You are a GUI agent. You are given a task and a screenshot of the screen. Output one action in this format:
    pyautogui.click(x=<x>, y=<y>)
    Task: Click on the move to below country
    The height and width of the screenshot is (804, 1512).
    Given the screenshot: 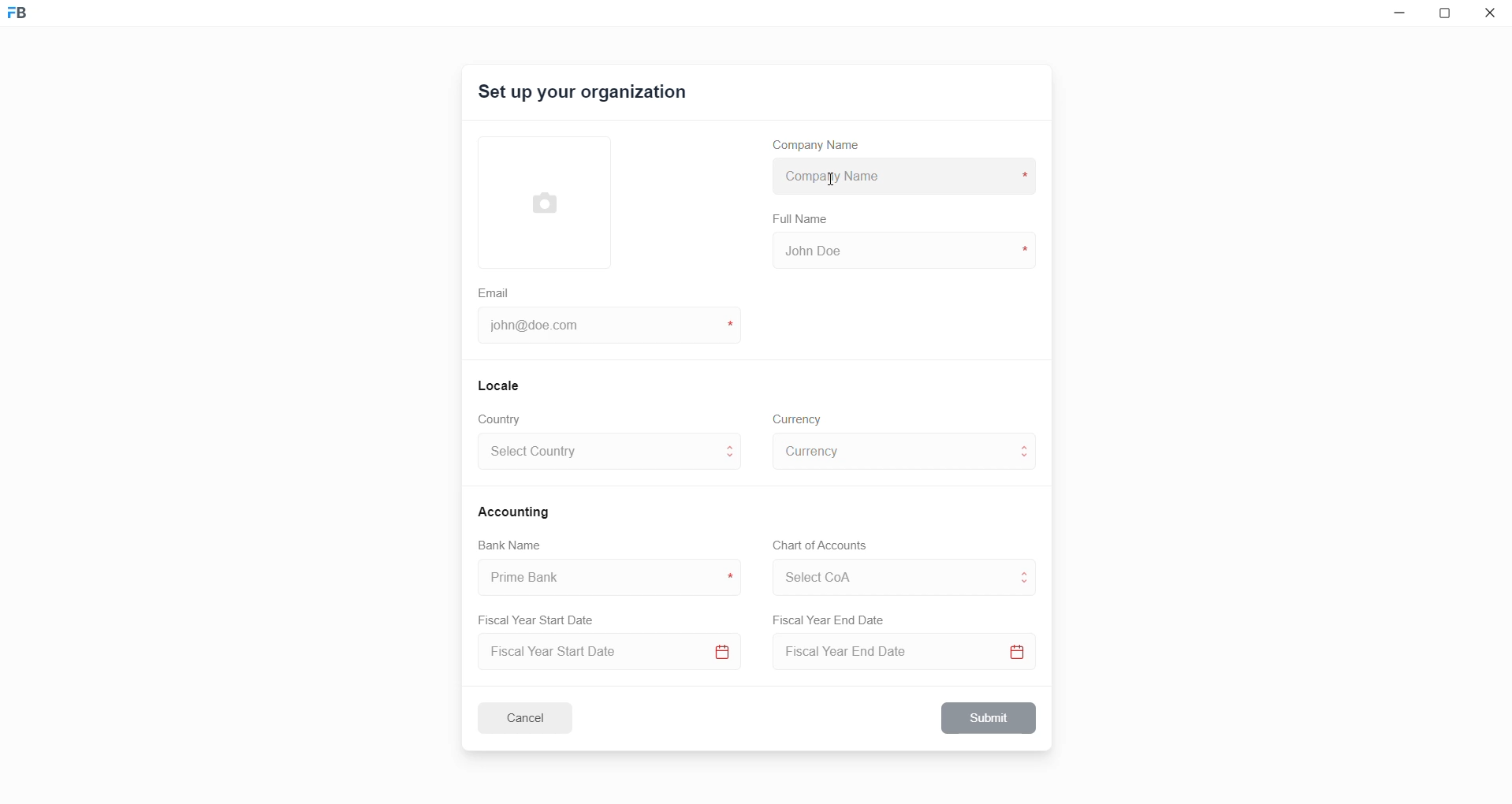 What is the action you would take?
    pyautogui.click(x=733, y=461)
    